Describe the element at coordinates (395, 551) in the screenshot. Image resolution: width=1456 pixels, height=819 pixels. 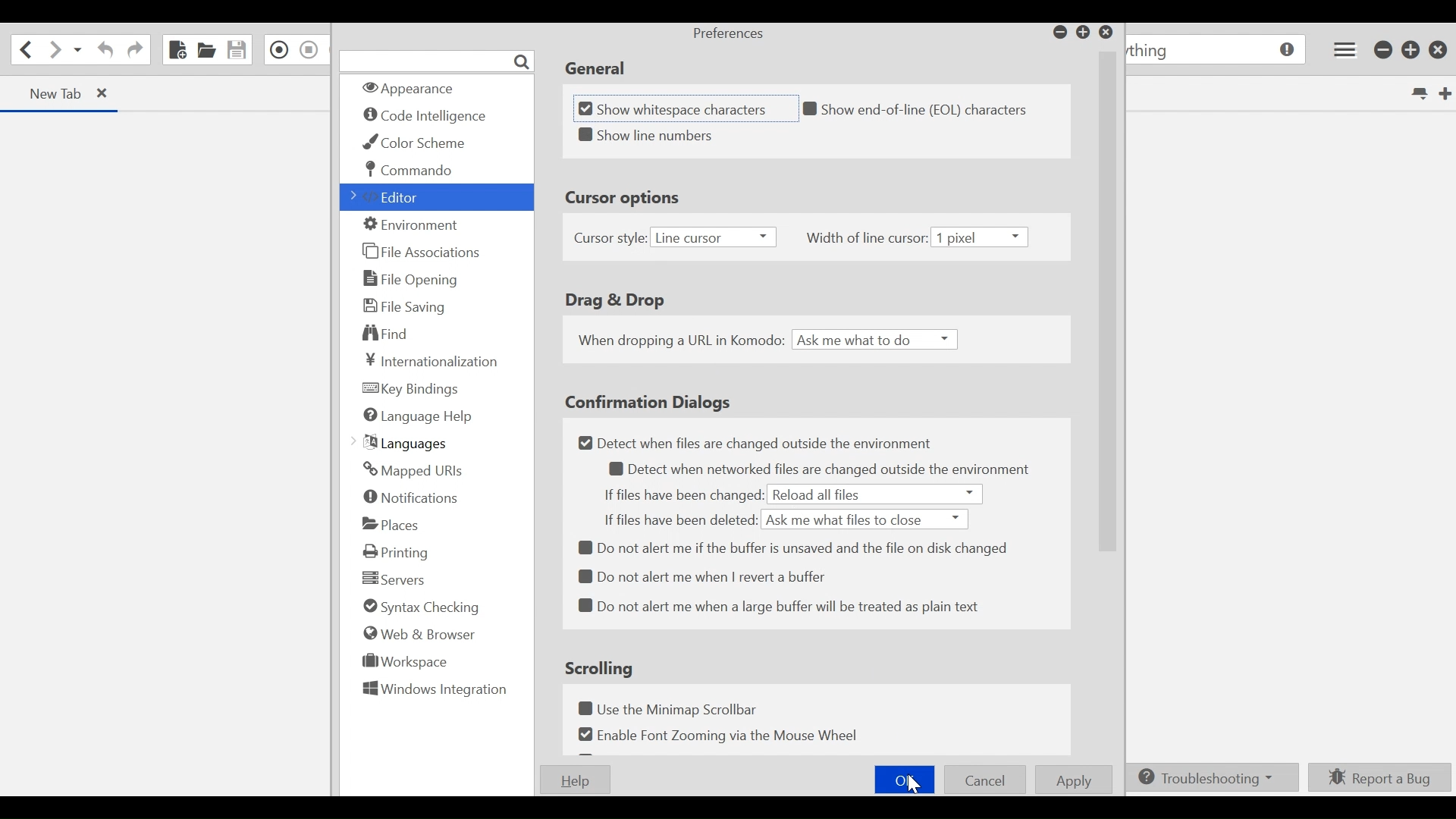
I see `Printing` at that location.